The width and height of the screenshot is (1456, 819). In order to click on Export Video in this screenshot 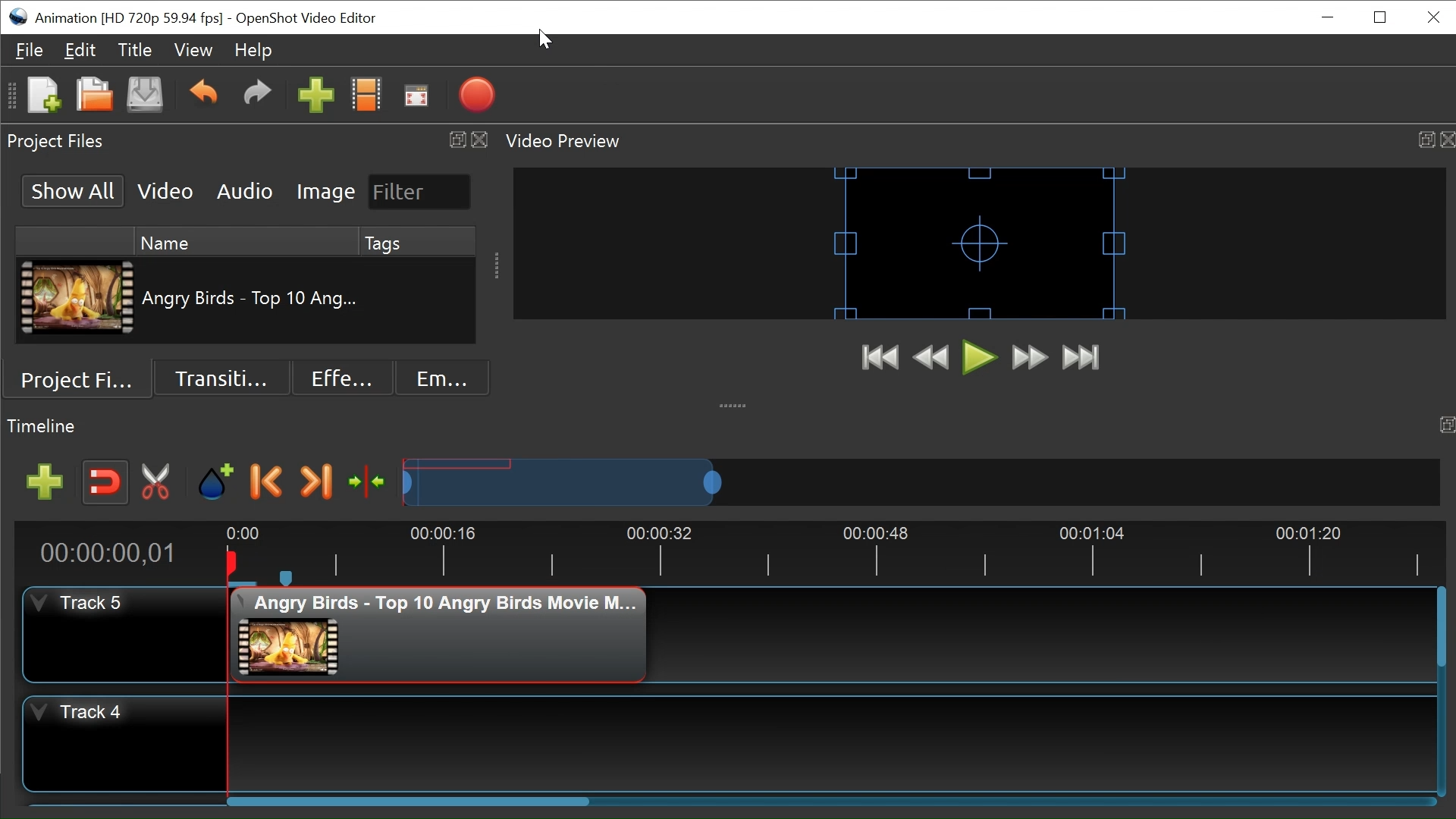, I will do `click(479, 97)`.